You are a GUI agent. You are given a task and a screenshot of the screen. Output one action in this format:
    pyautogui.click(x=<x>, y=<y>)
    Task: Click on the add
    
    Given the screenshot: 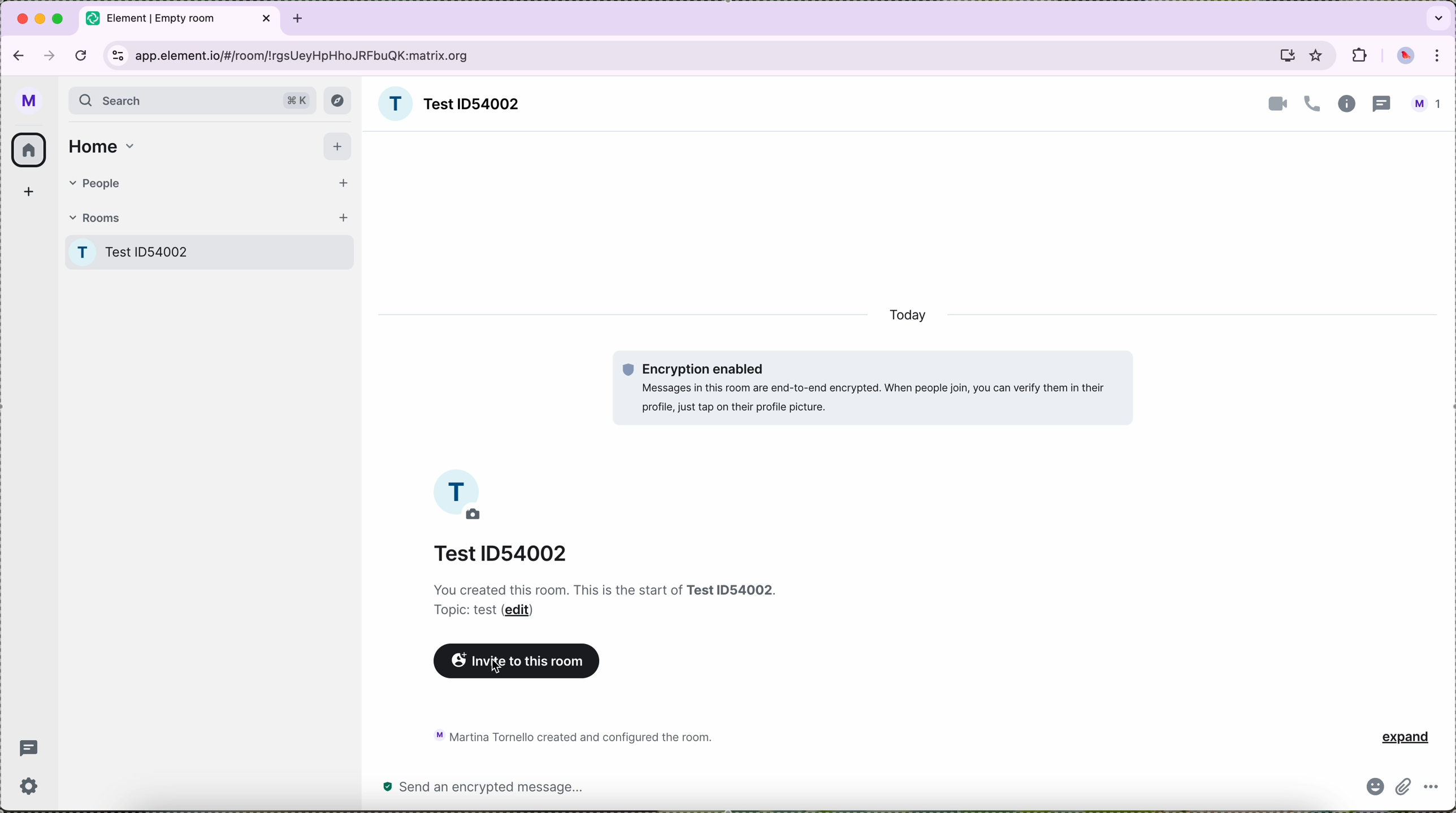 What is the action you would take?
    pyautogui.click(x=28, y=193)
    